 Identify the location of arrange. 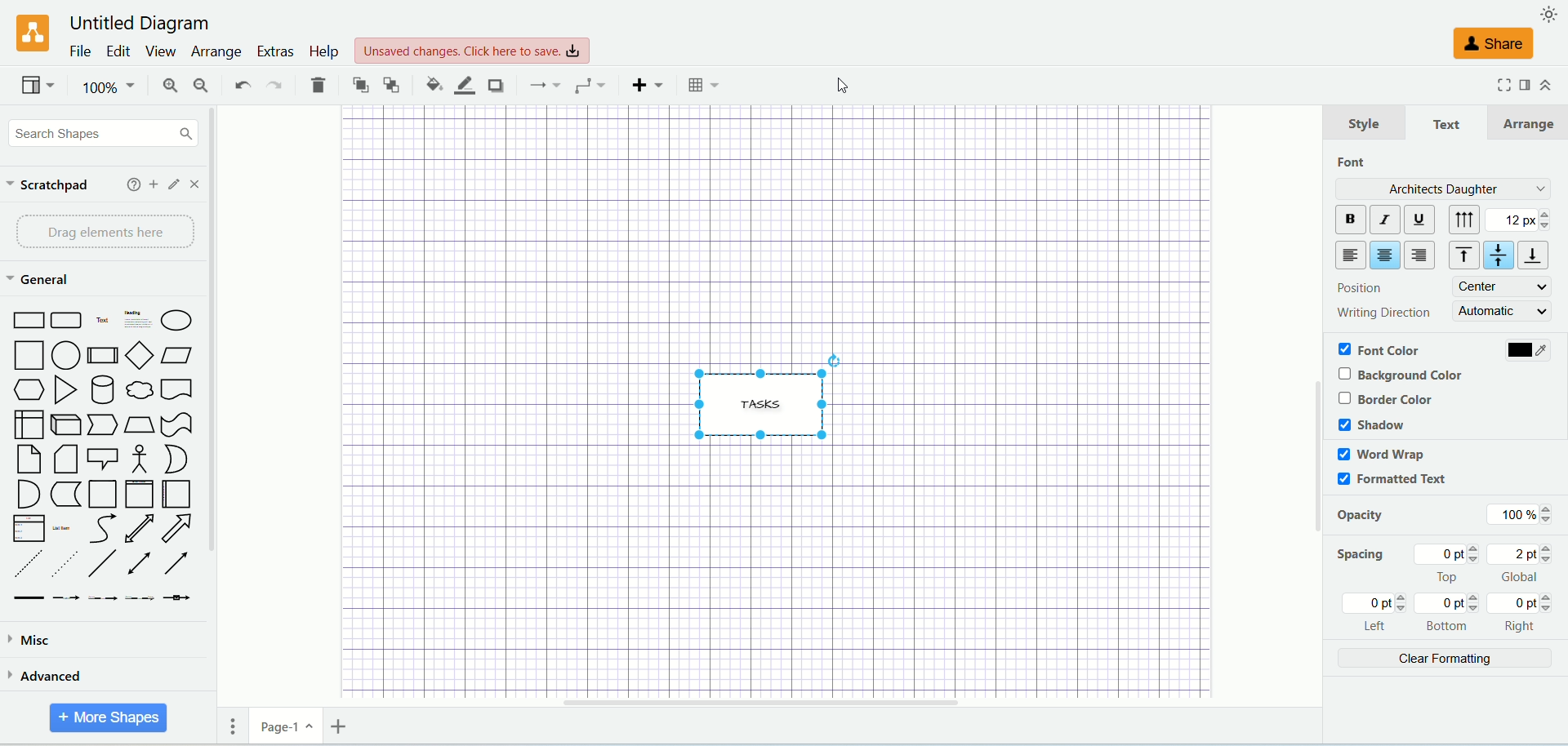
(215, 53).